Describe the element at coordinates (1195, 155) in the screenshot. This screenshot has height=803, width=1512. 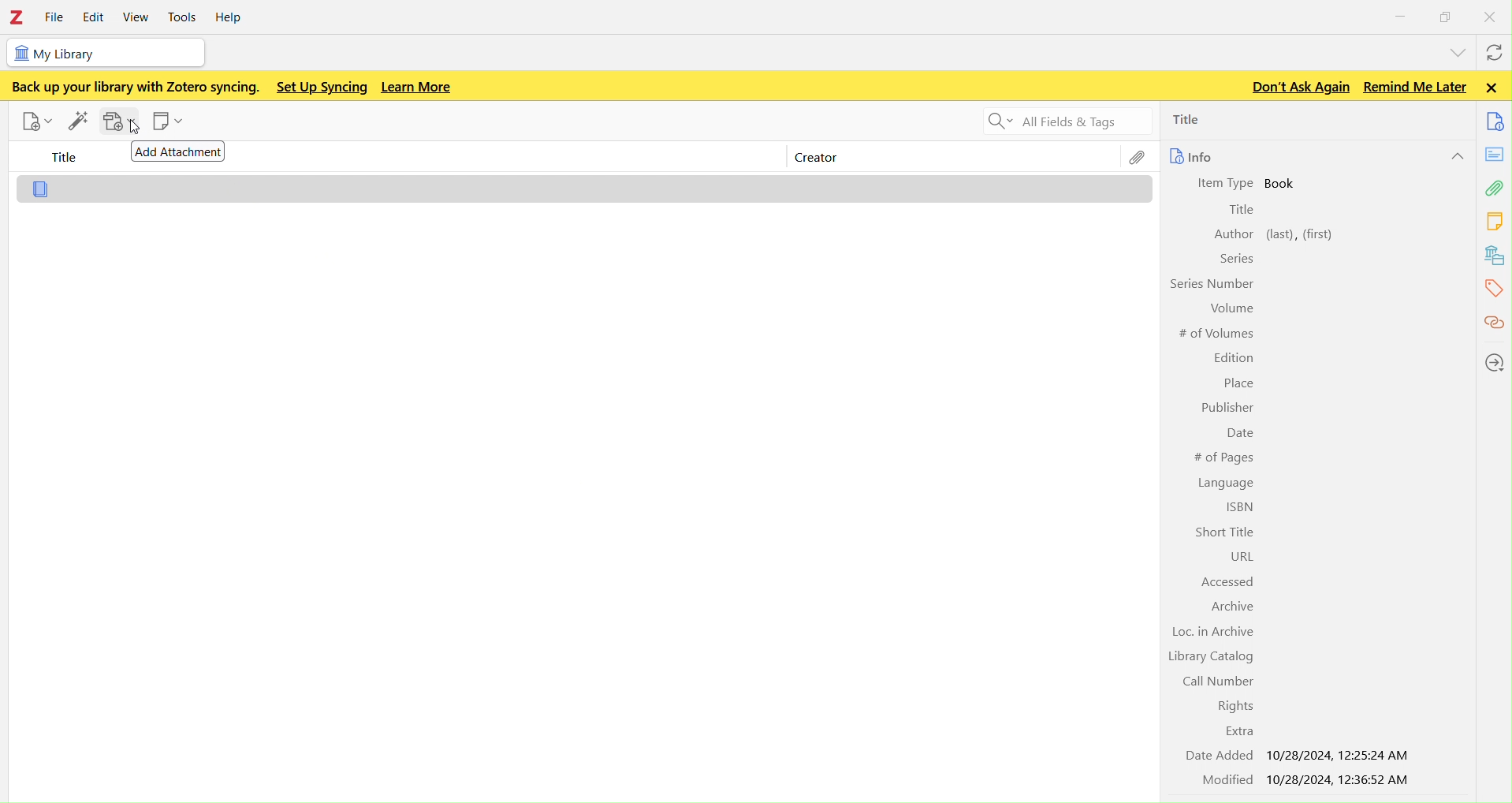
I see `info` at that location.